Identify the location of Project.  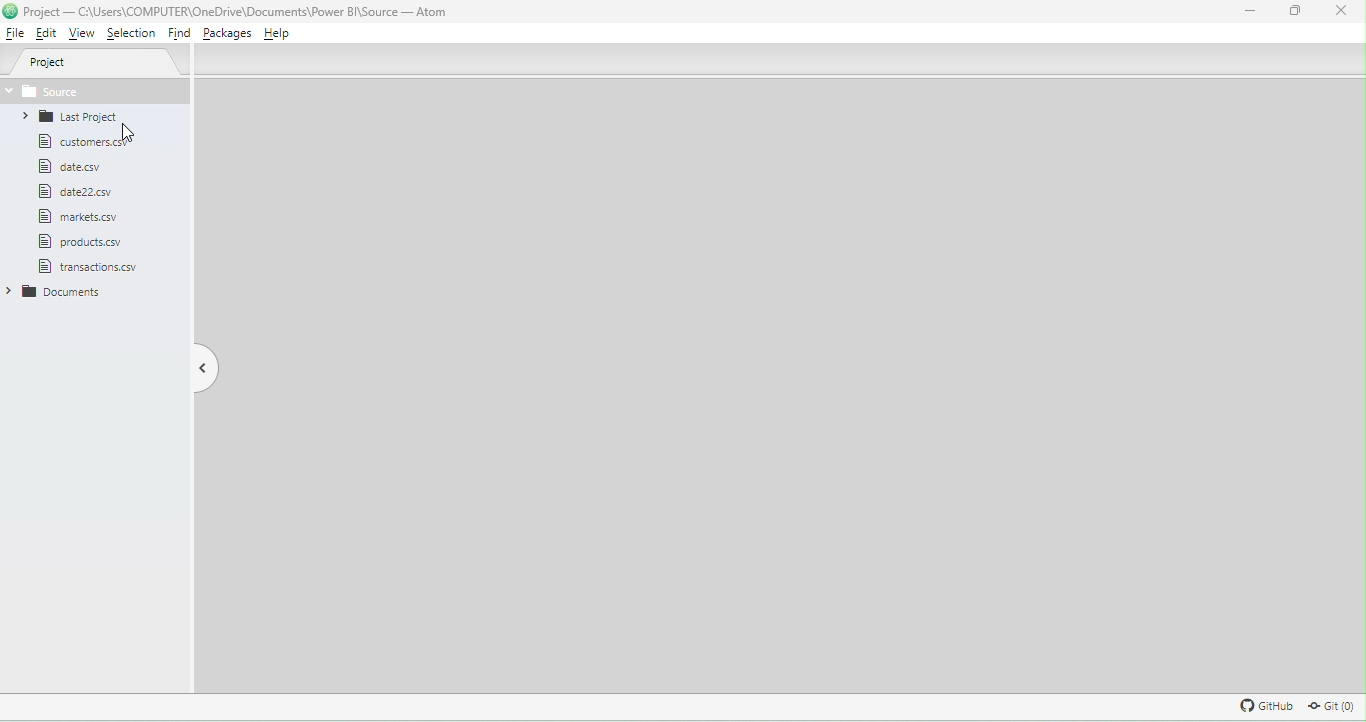
(97, 63).